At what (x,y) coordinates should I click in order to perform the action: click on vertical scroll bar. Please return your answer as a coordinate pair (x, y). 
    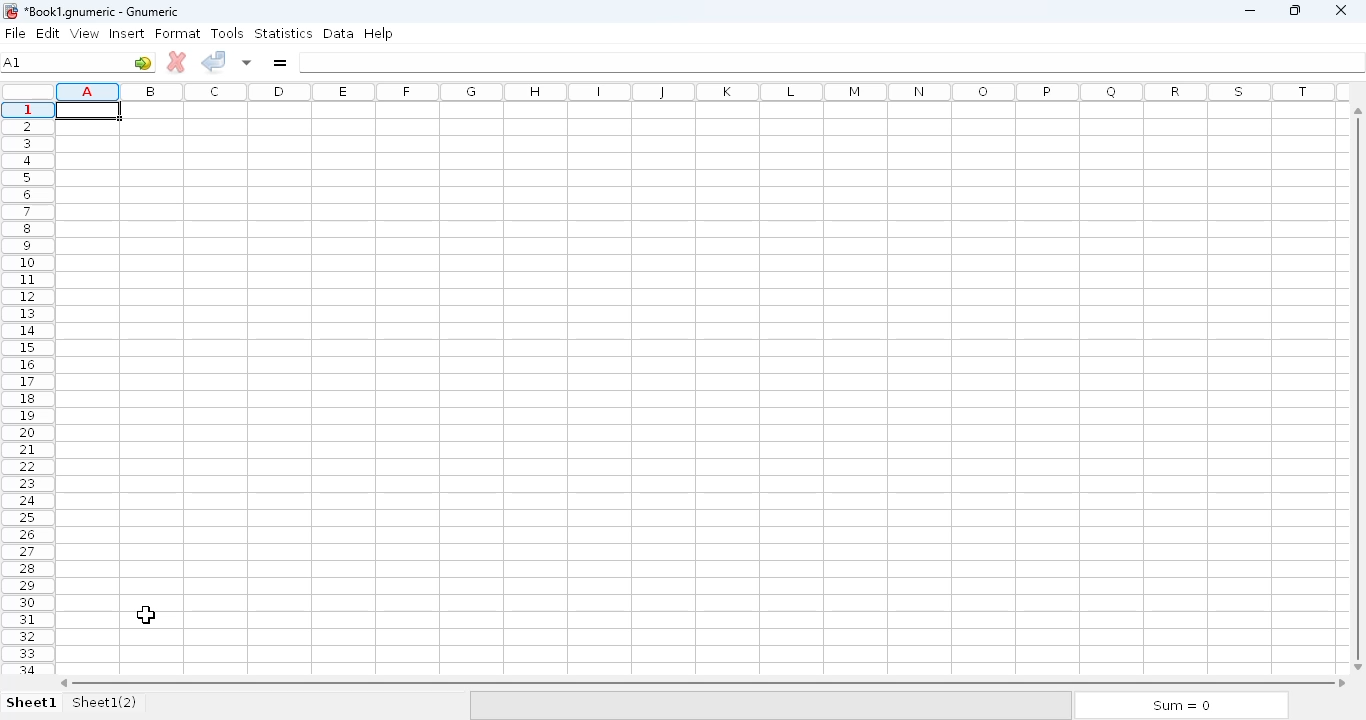
    Looking at the image, I should click on (1355, 387).